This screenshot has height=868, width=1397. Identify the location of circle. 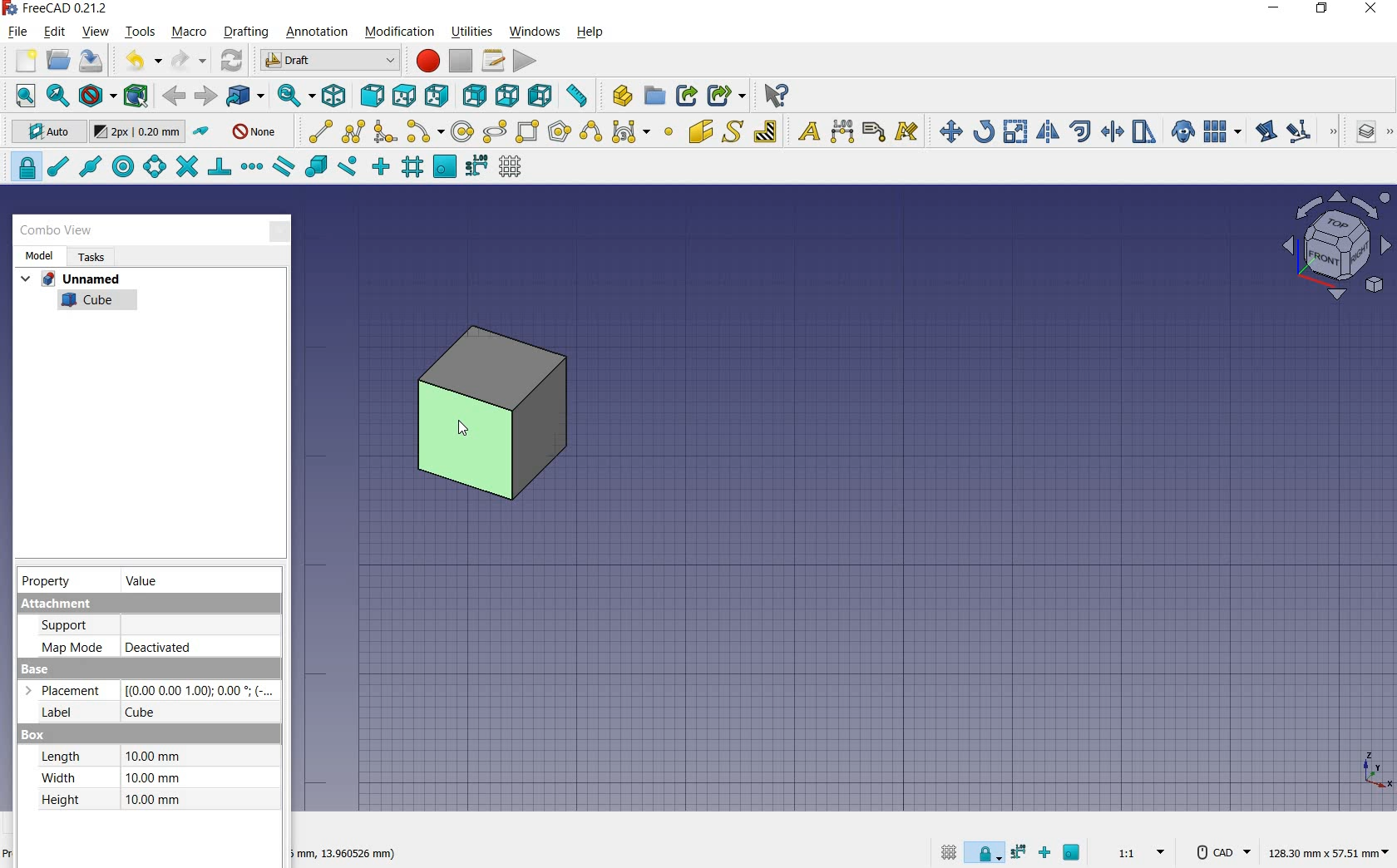
(464, 131).